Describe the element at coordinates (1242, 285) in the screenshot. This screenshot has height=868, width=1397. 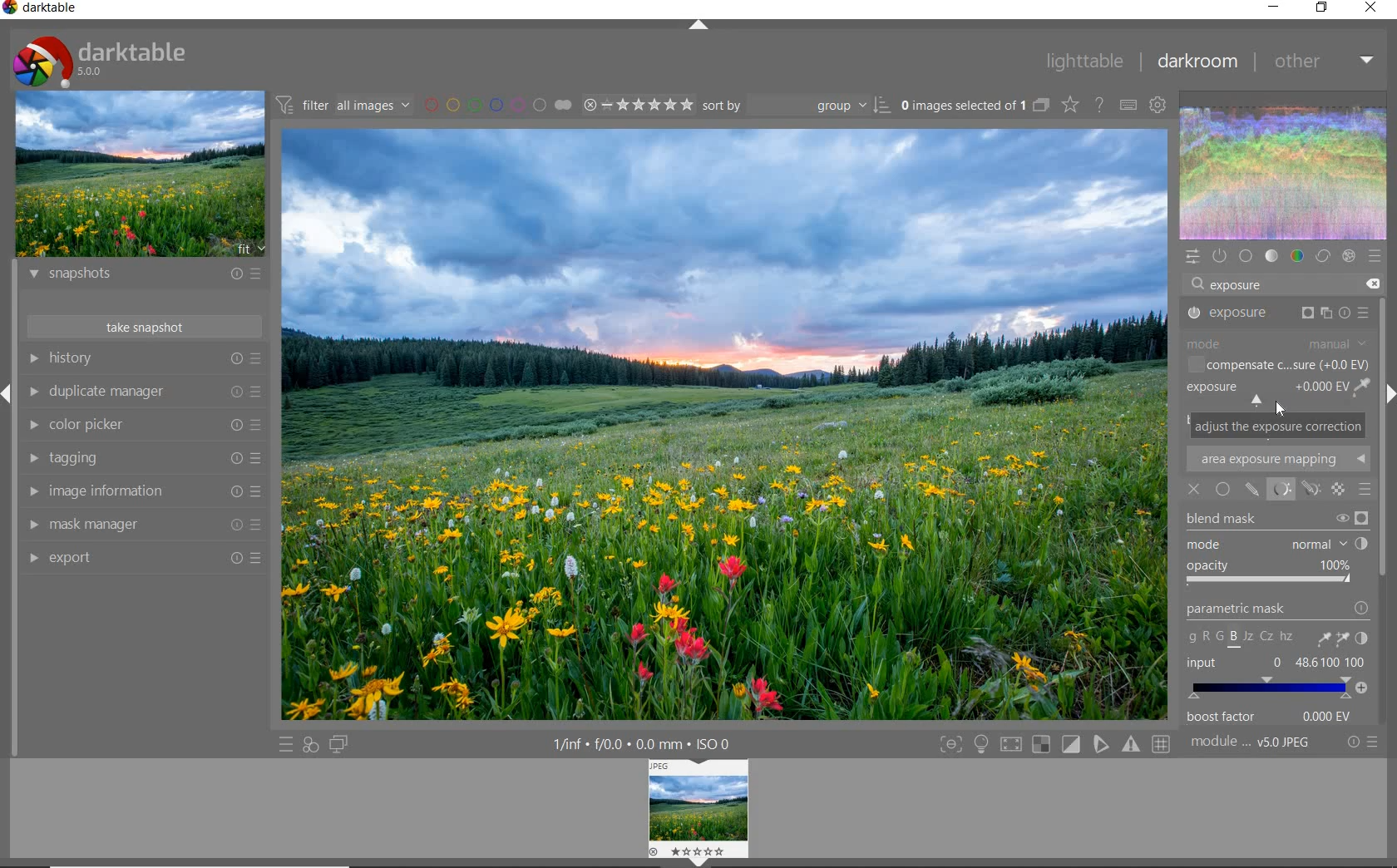
I see `exposure` at that location.